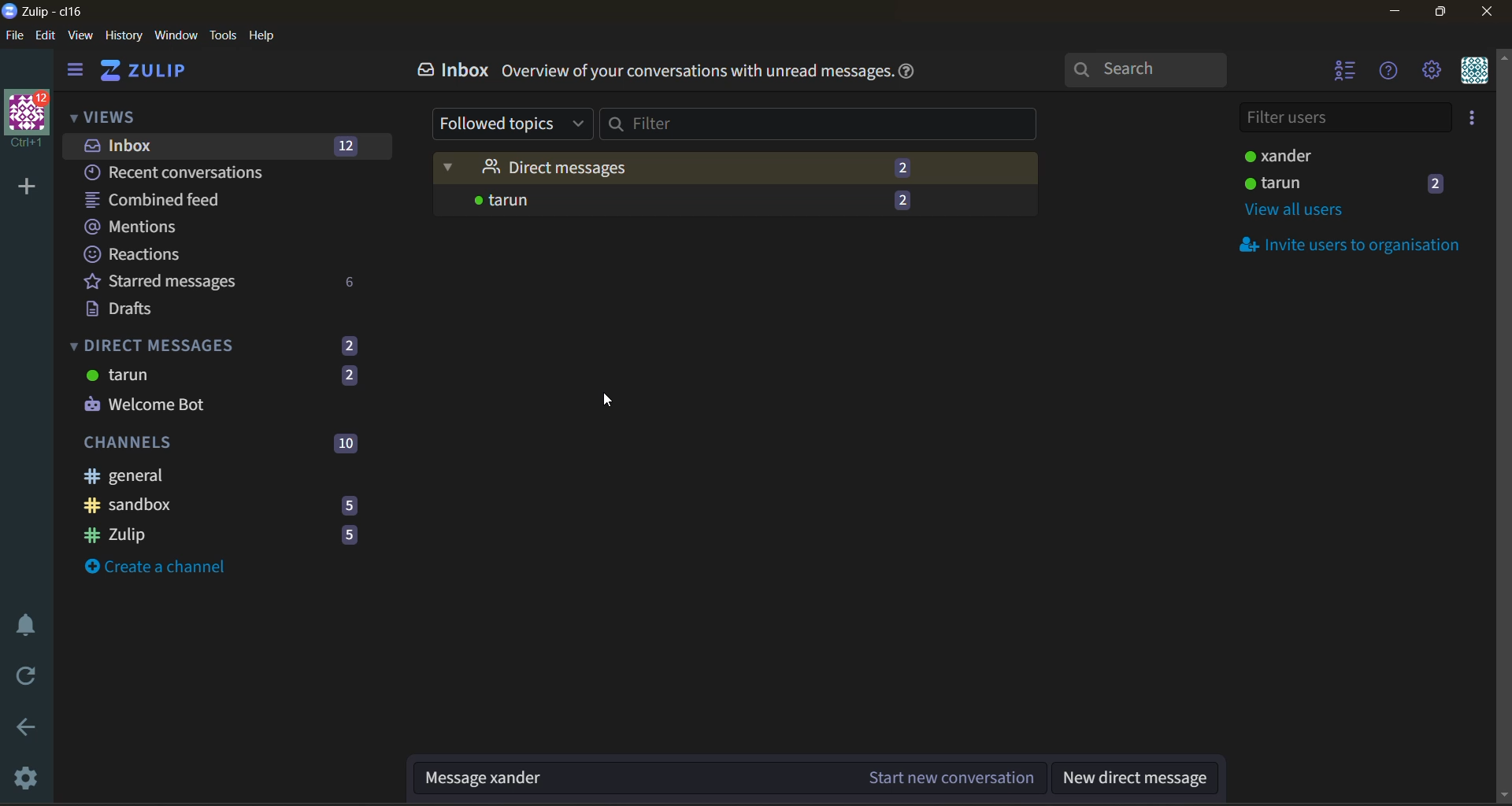 The width and height of the screenshot is (1512, 806). What do you see at coordinates (25, 123) in the screenshot?
I see `Logo with 14 notifications` at bounding box center [25, 123].